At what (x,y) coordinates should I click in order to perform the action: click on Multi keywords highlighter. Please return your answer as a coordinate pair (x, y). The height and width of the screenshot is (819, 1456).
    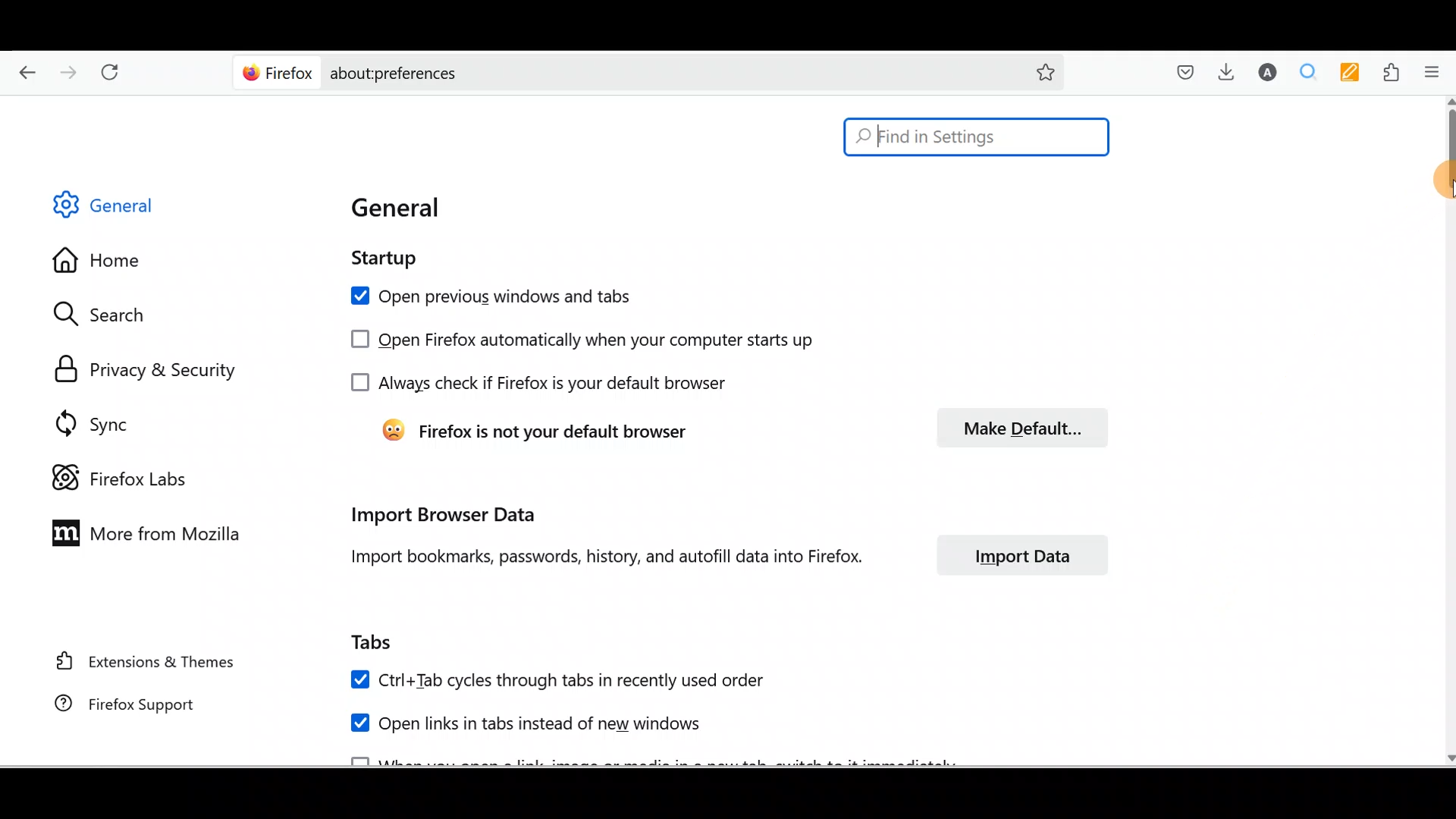
    Looking at the image, I should click on (1354, 74).